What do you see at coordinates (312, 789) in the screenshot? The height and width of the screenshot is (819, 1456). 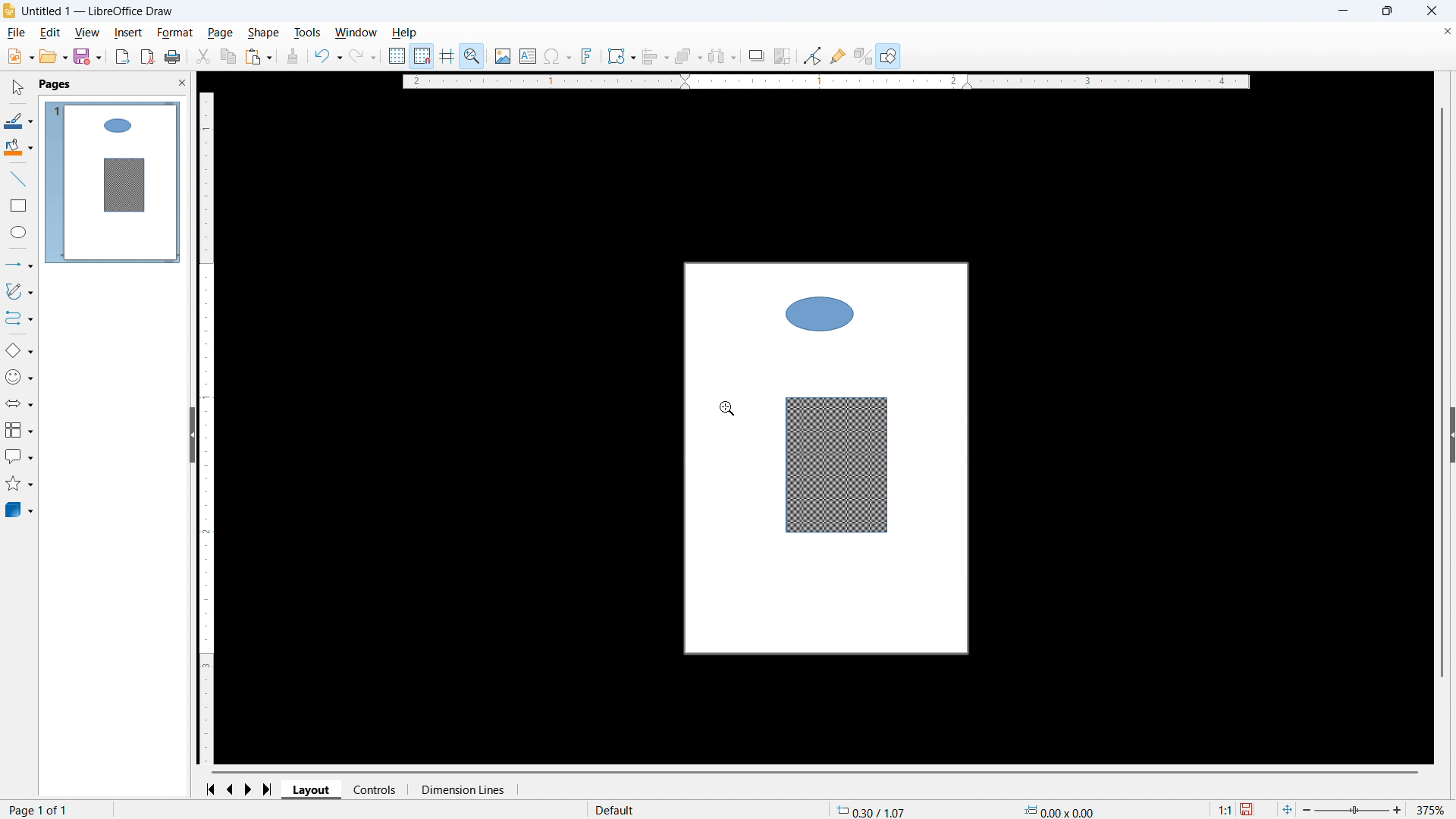 I see `Layout ` at bounding box center [312, 789].